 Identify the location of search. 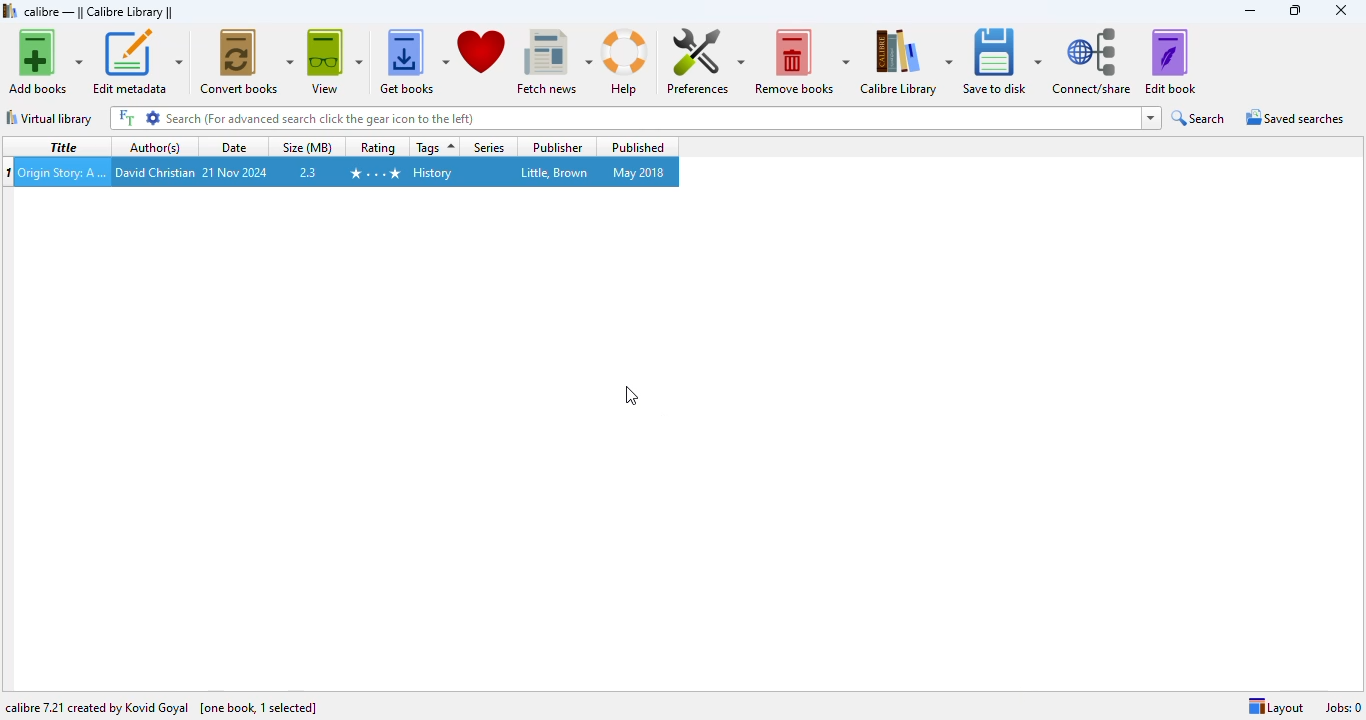
(1200, 118).